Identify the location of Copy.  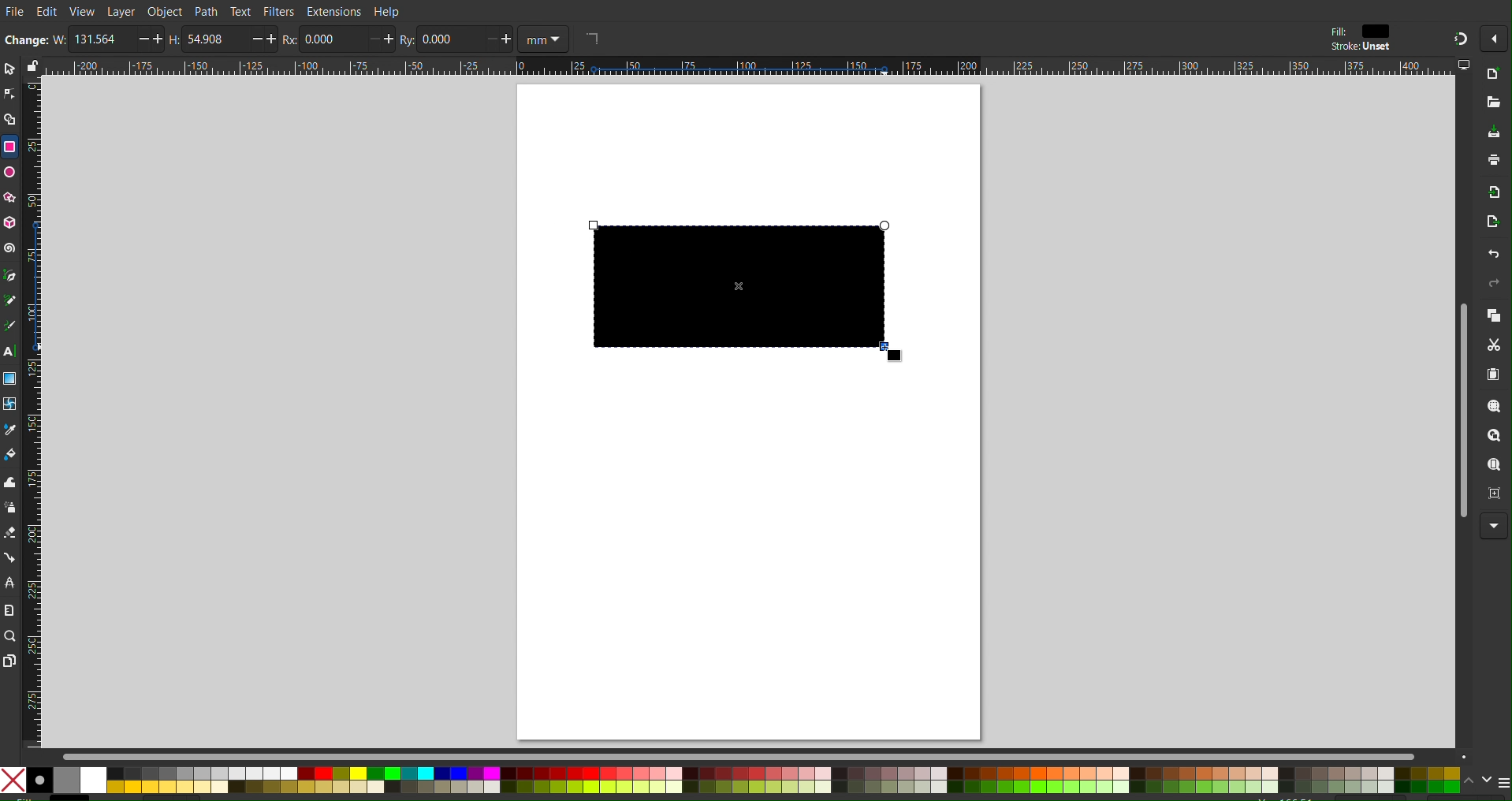
(1495, 317).